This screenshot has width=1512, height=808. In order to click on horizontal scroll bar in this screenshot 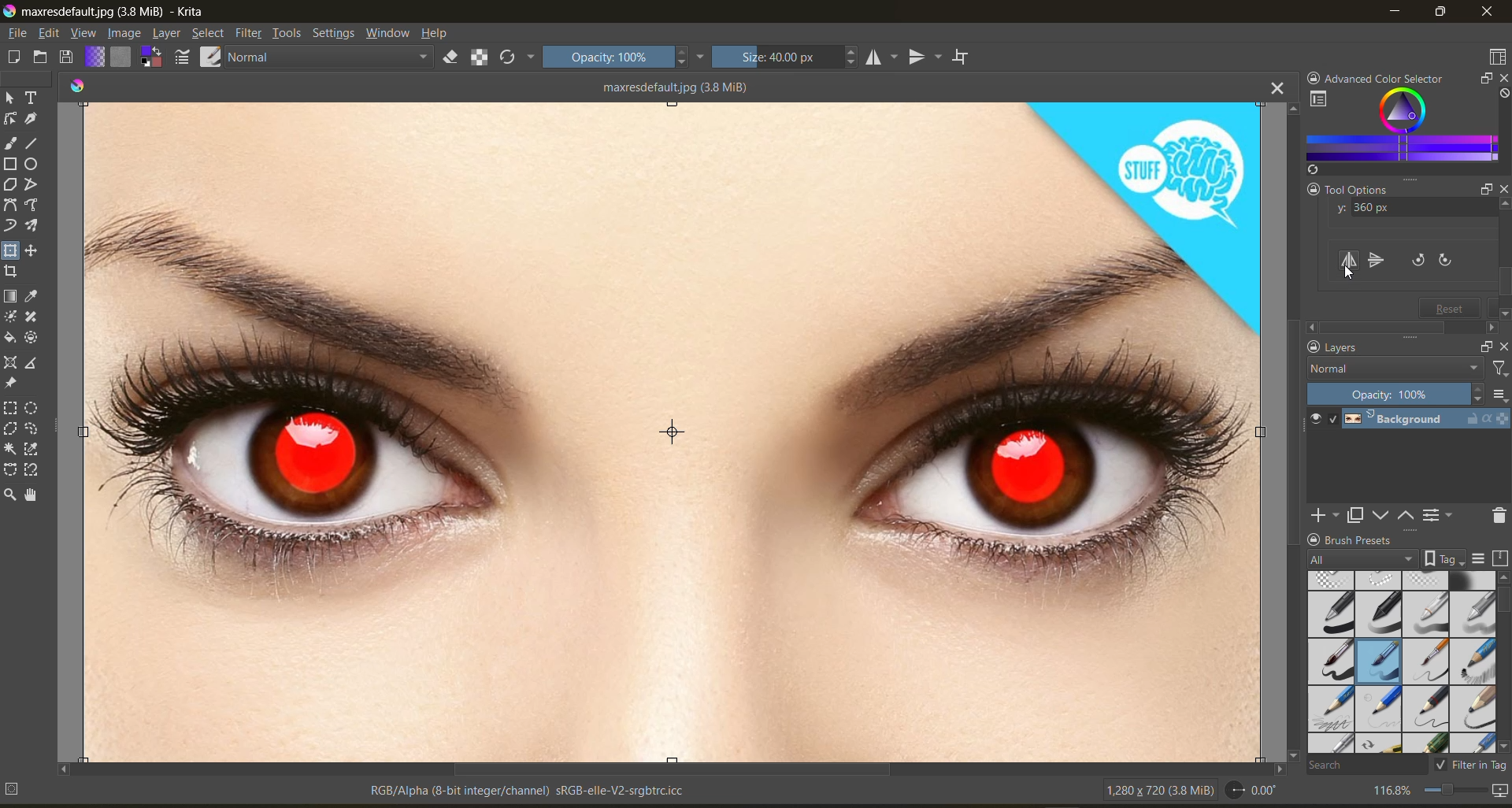, I will do `click(670, 766)`.